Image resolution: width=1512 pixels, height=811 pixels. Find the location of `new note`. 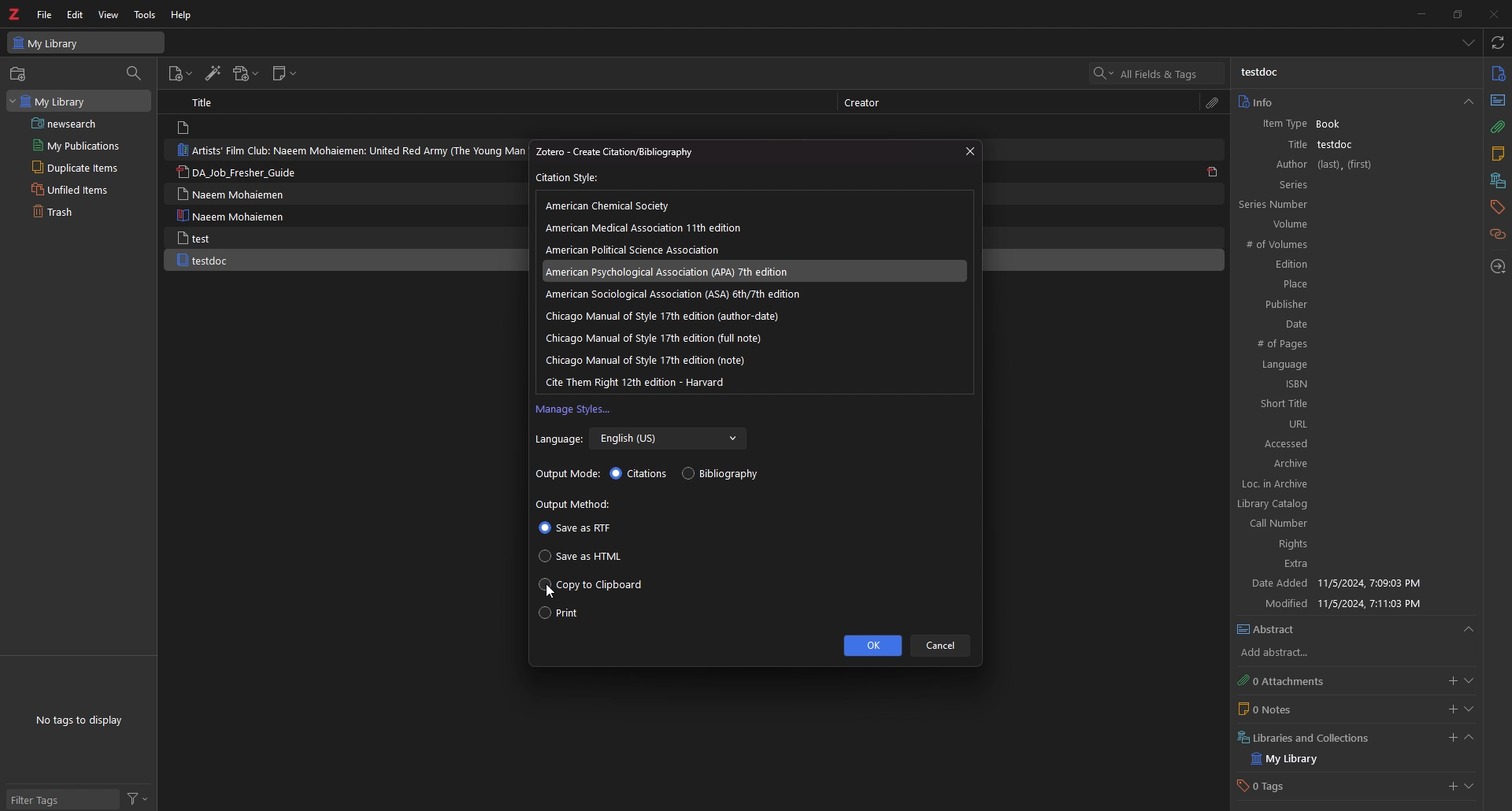

new note is located at coordinates (285, 74).